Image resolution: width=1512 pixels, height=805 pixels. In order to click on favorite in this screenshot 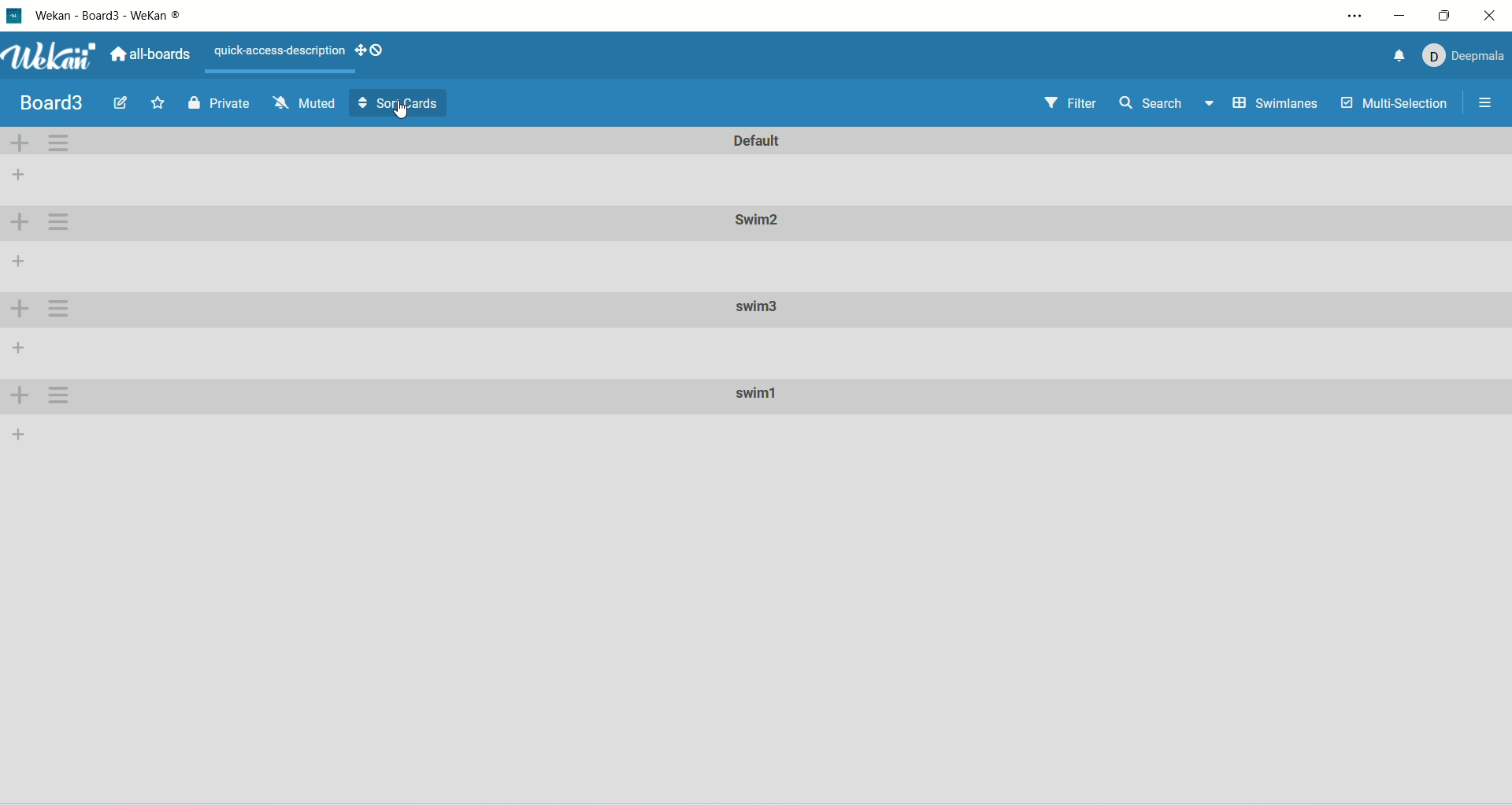, I will do `click(159, 102)`.